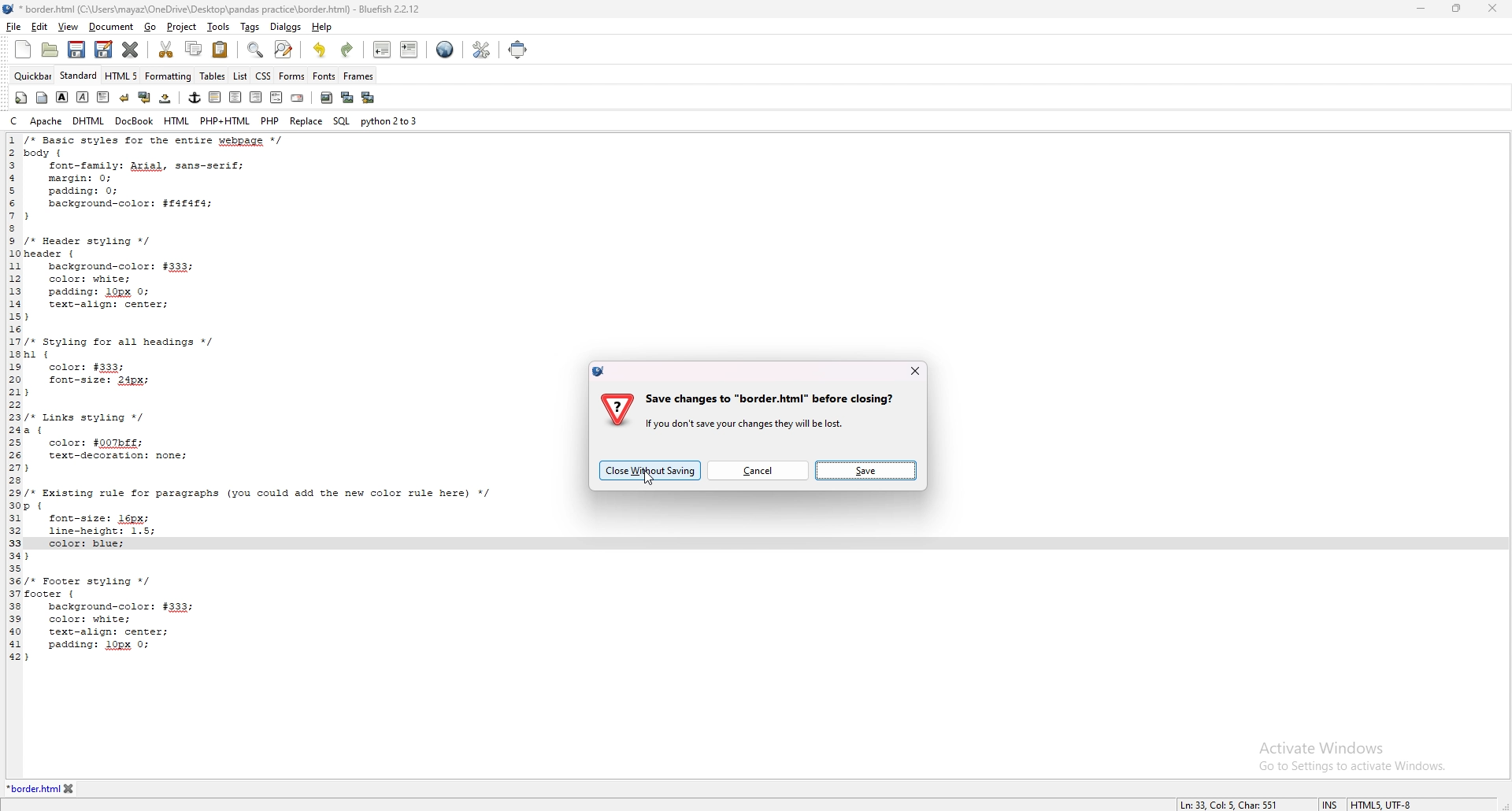 Image resolution: width=1512 pixels, height=811 pixels. What do you see at coordinates (370, 97) in the screenshot?
I see `multi thumbnail` at bounding box center [370, 97].